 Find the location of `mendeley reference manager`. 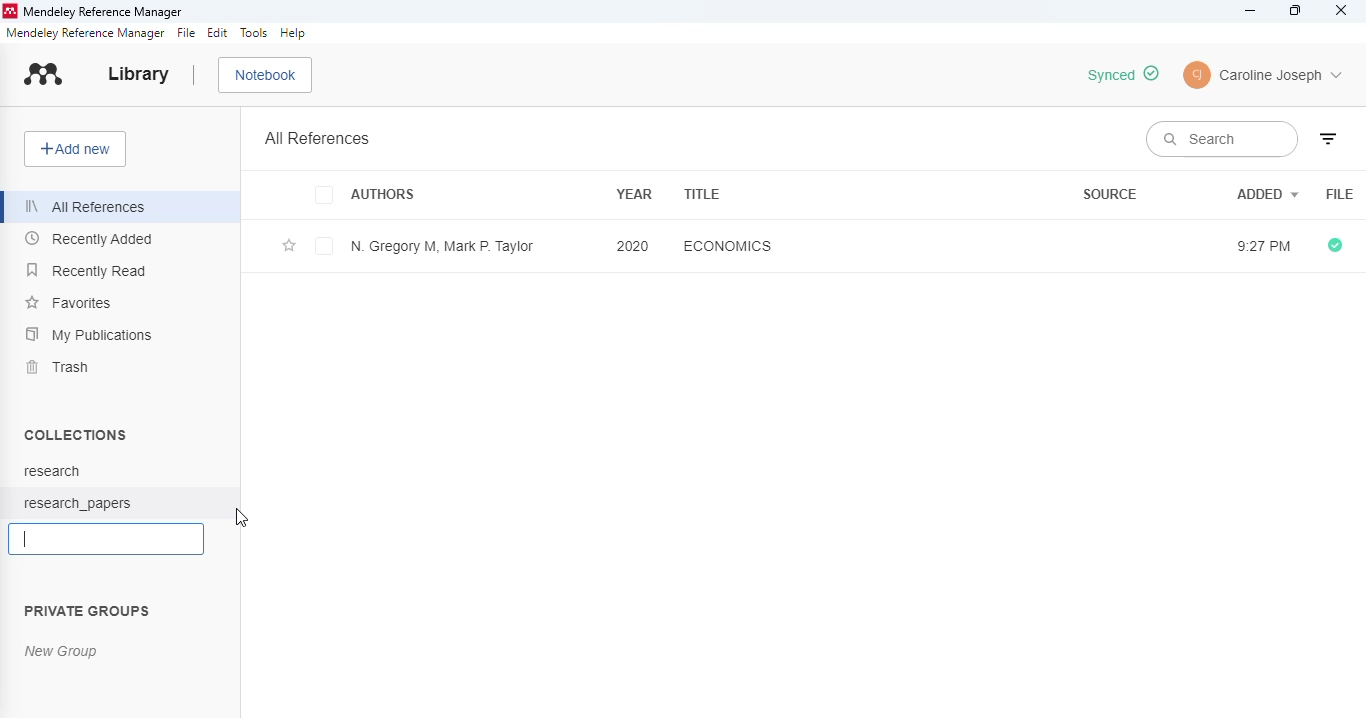

mendeley reference manager is located at coordinates (102, 12).